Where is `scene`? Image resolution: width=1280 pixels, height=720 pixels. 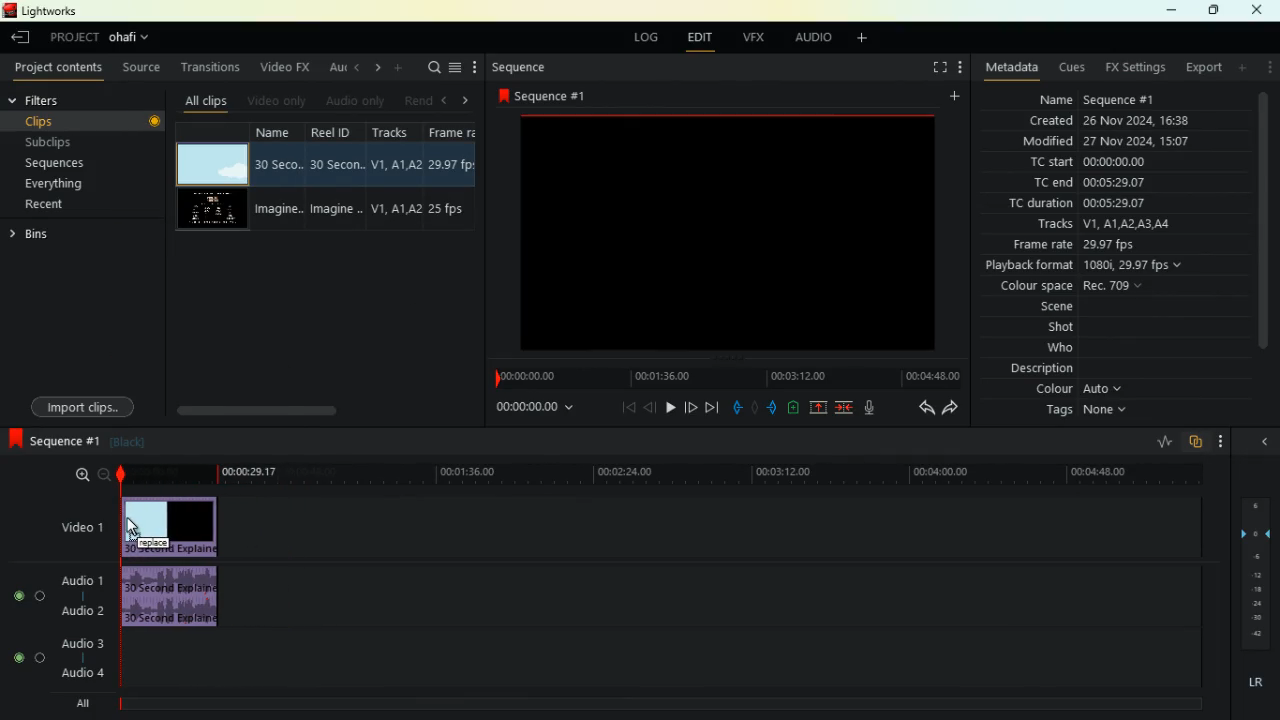
scene is located at coordinates (1044, 307).